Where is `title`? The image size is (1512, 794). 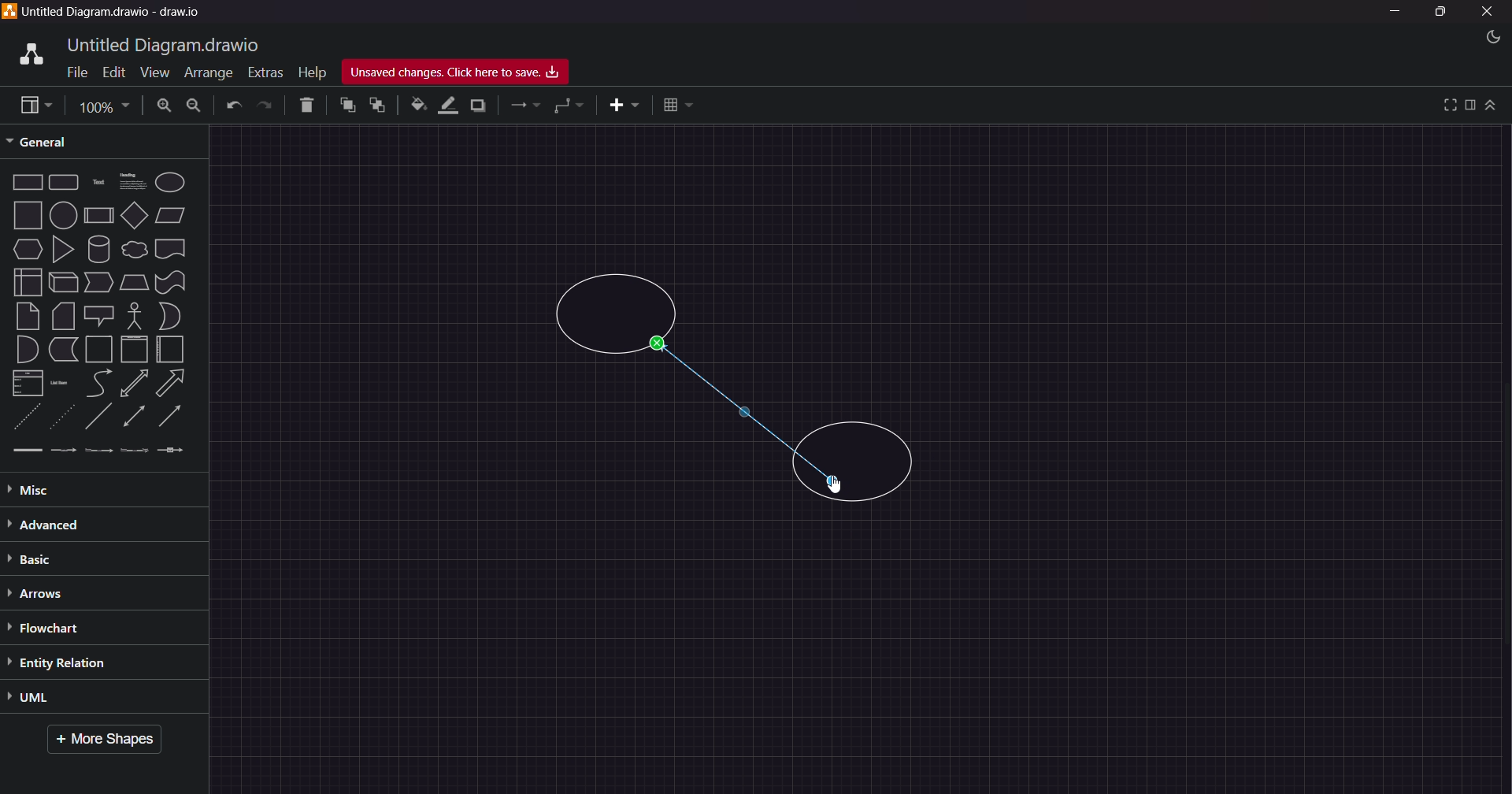
title is located at coordinates (166, 43).